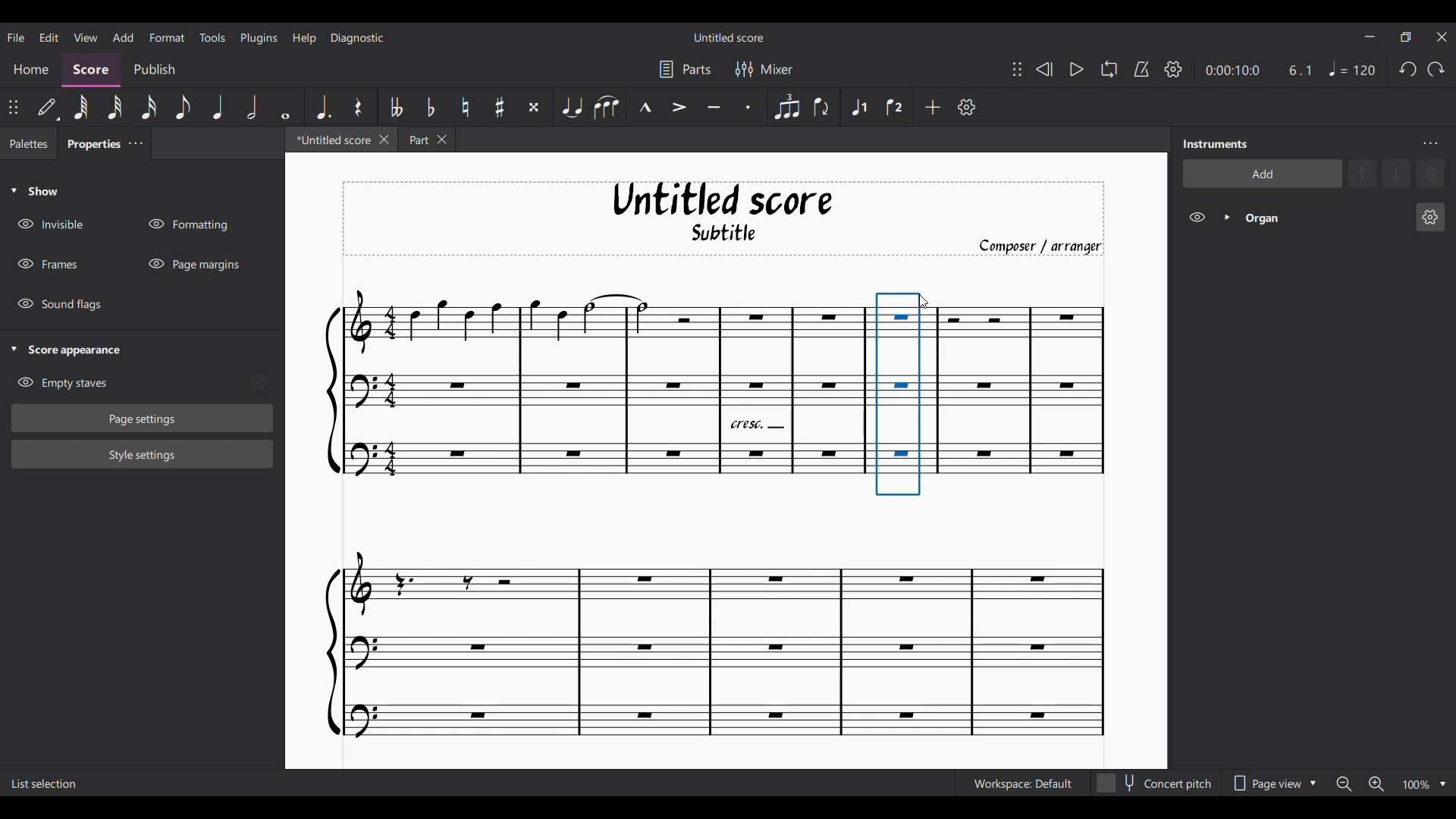 This screenshot has width=1456, height=819. What do you see at coordinates (1362, 173) in the screenshot?
I see `Move selection up` at bounding box center [1362, 173].